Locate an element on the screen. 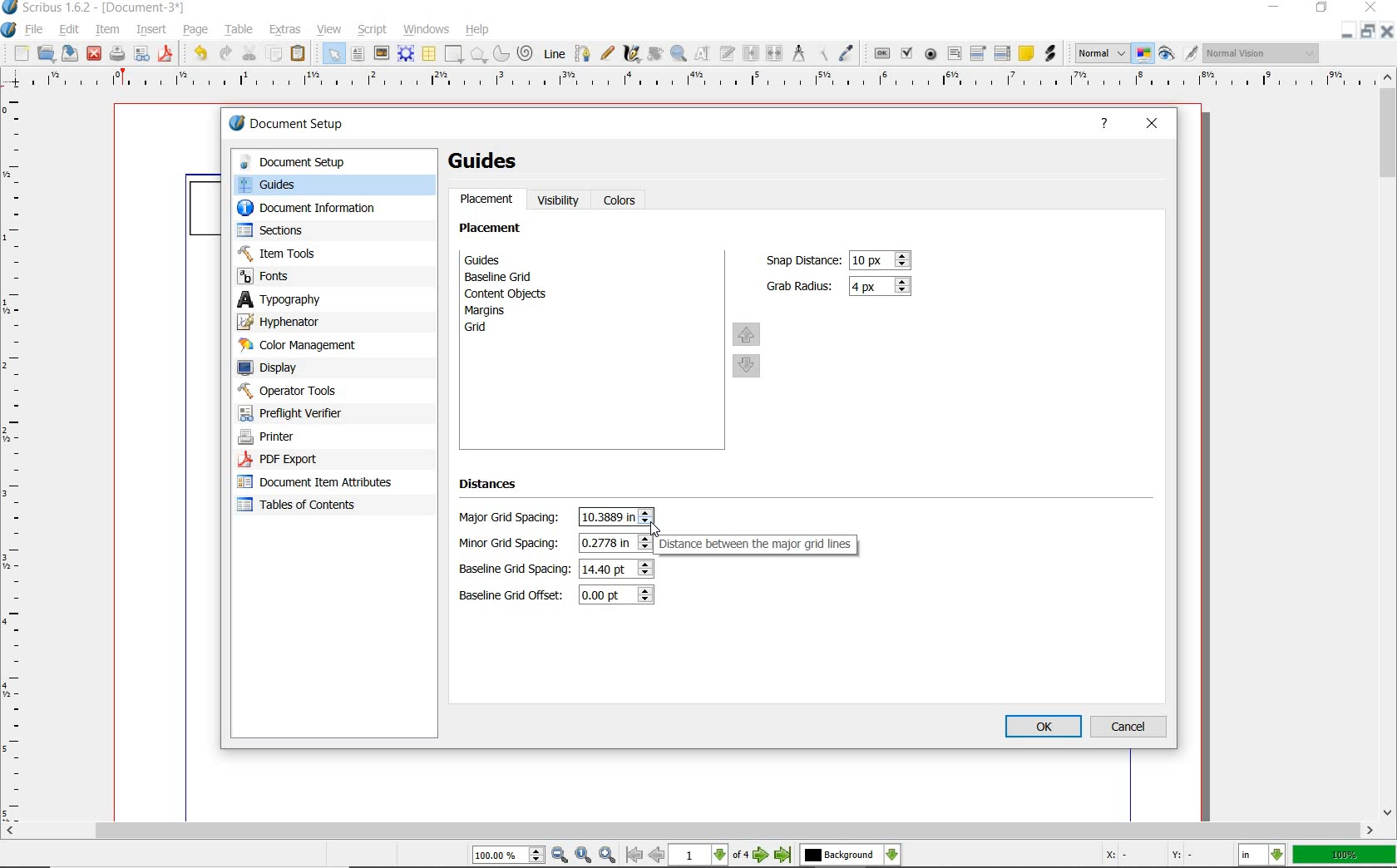  Baseline Grid Spacing: is located at coordinates (515, 570).